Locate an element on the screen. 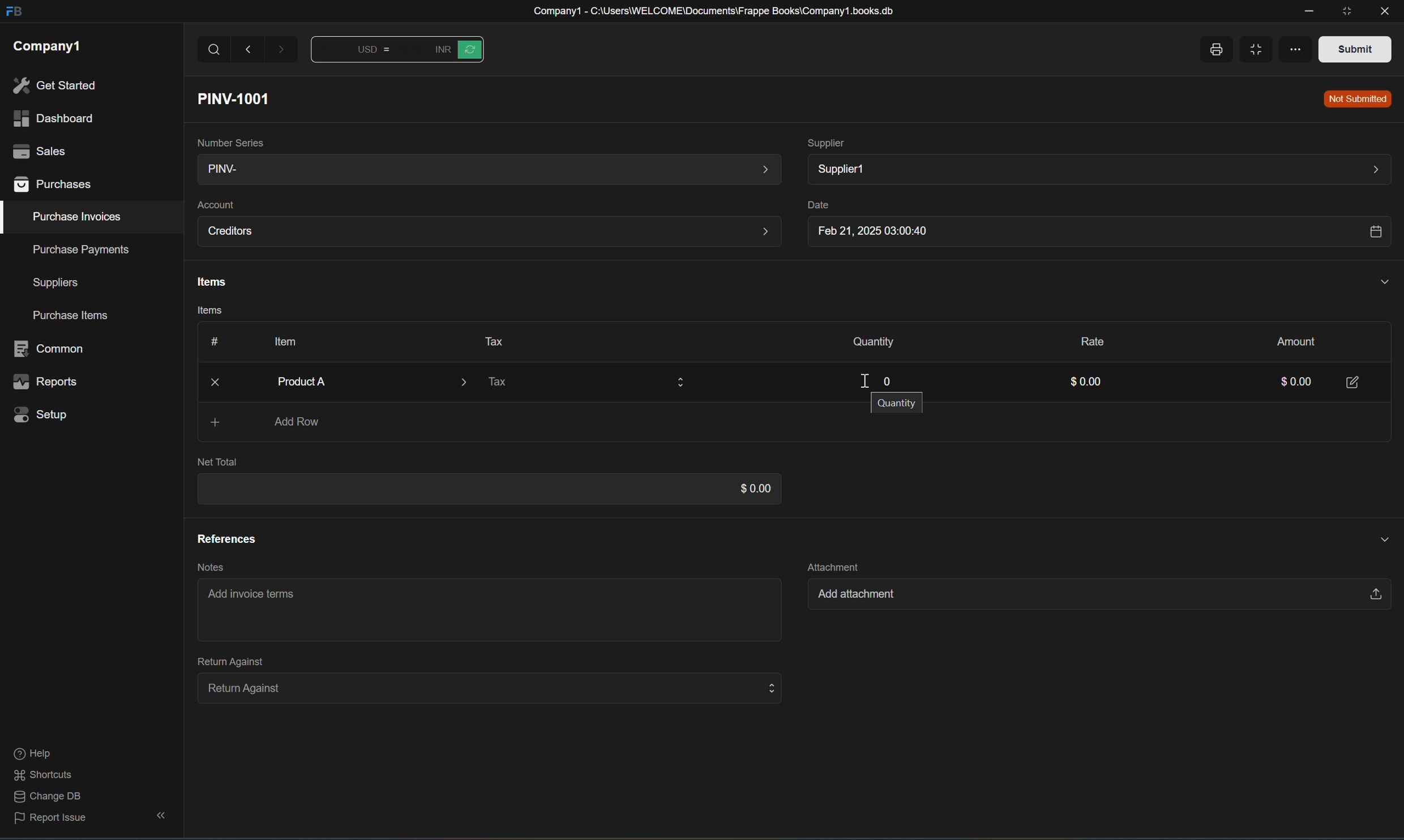 The image size is (1404, 840). Items is located at coordinates (208, 282).